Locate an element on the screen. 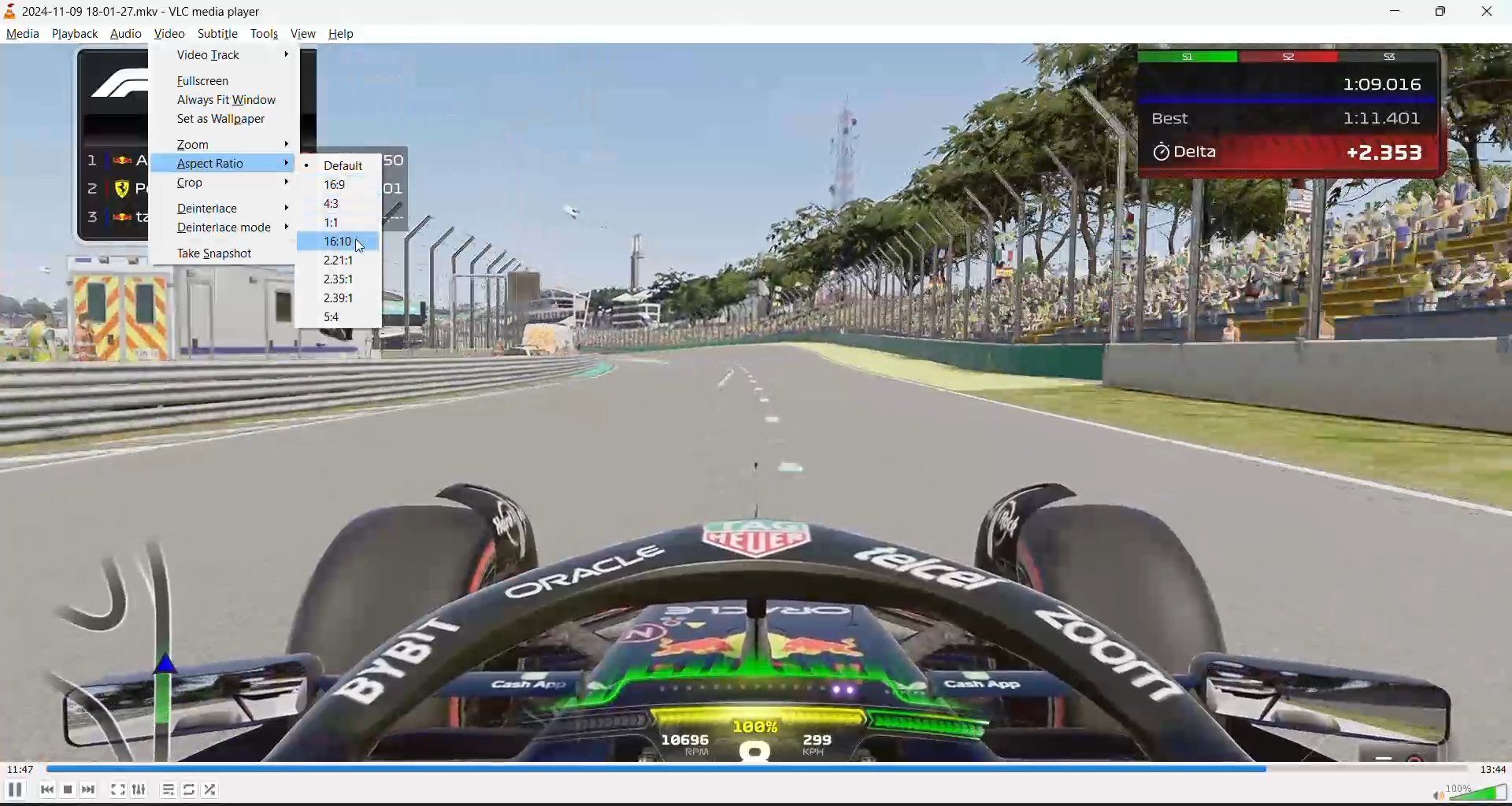 The image size is (1512, 806). deinterlace is located at coordinates (213, 209).